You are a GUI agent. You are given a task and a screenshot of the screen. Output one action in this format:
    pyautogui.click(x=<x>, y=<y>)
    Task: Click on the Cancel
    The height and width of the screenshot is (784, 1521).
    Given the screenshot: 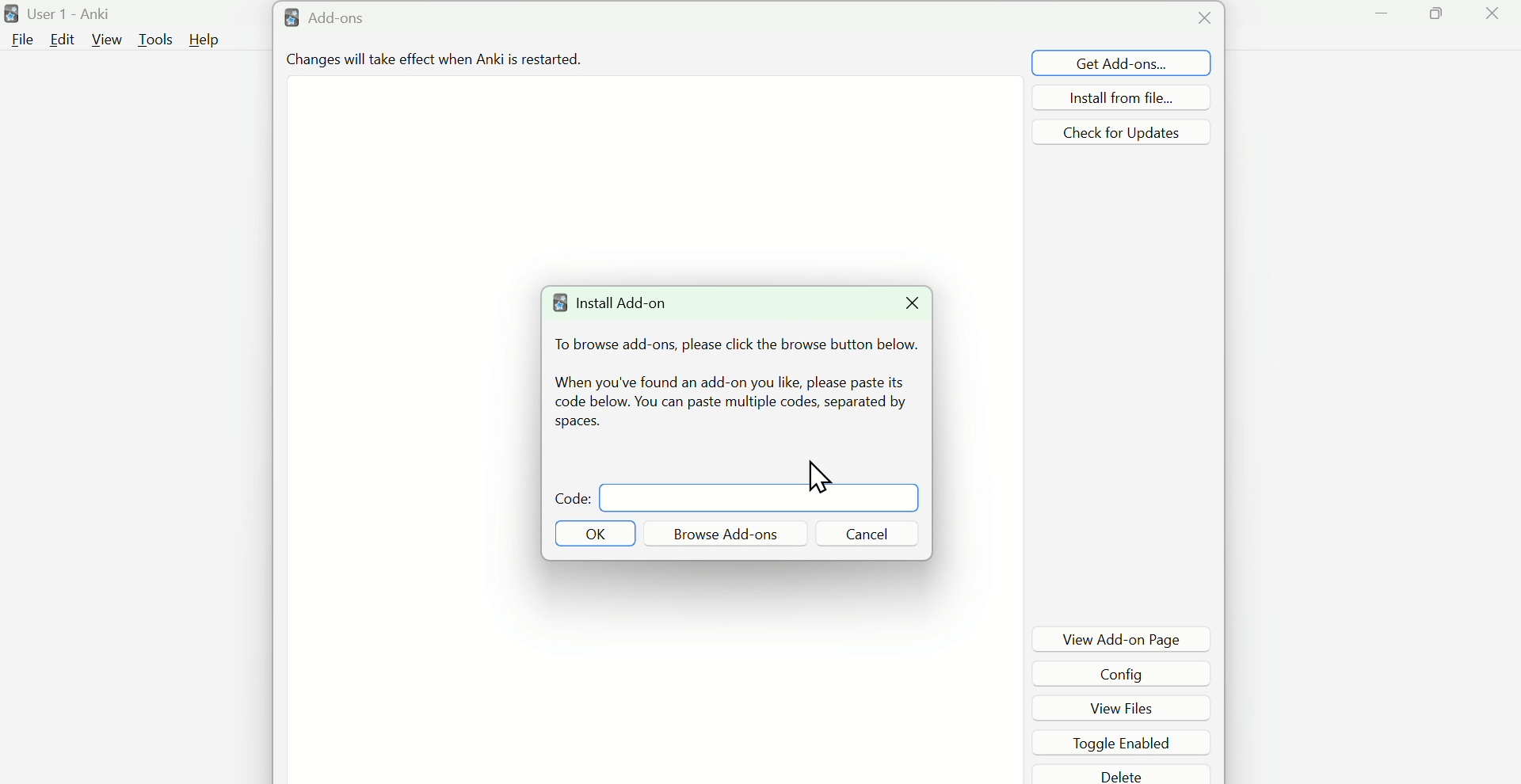 What is the action you would take?
    pyautogui.click(x=866, y=534)
    